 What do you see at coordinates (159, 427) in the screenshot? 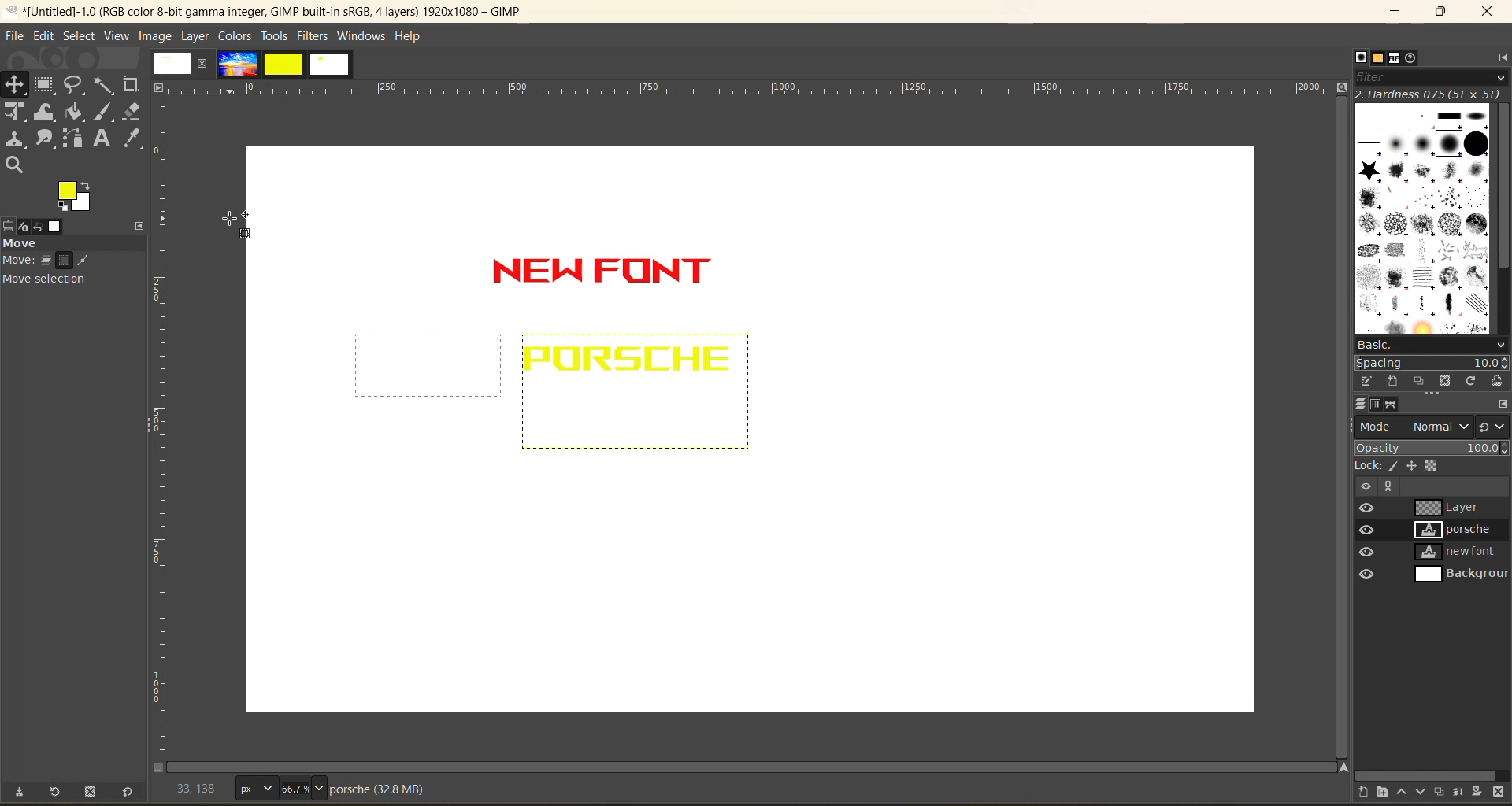
I see `vertical ruler` at bounding box center [159, 427].